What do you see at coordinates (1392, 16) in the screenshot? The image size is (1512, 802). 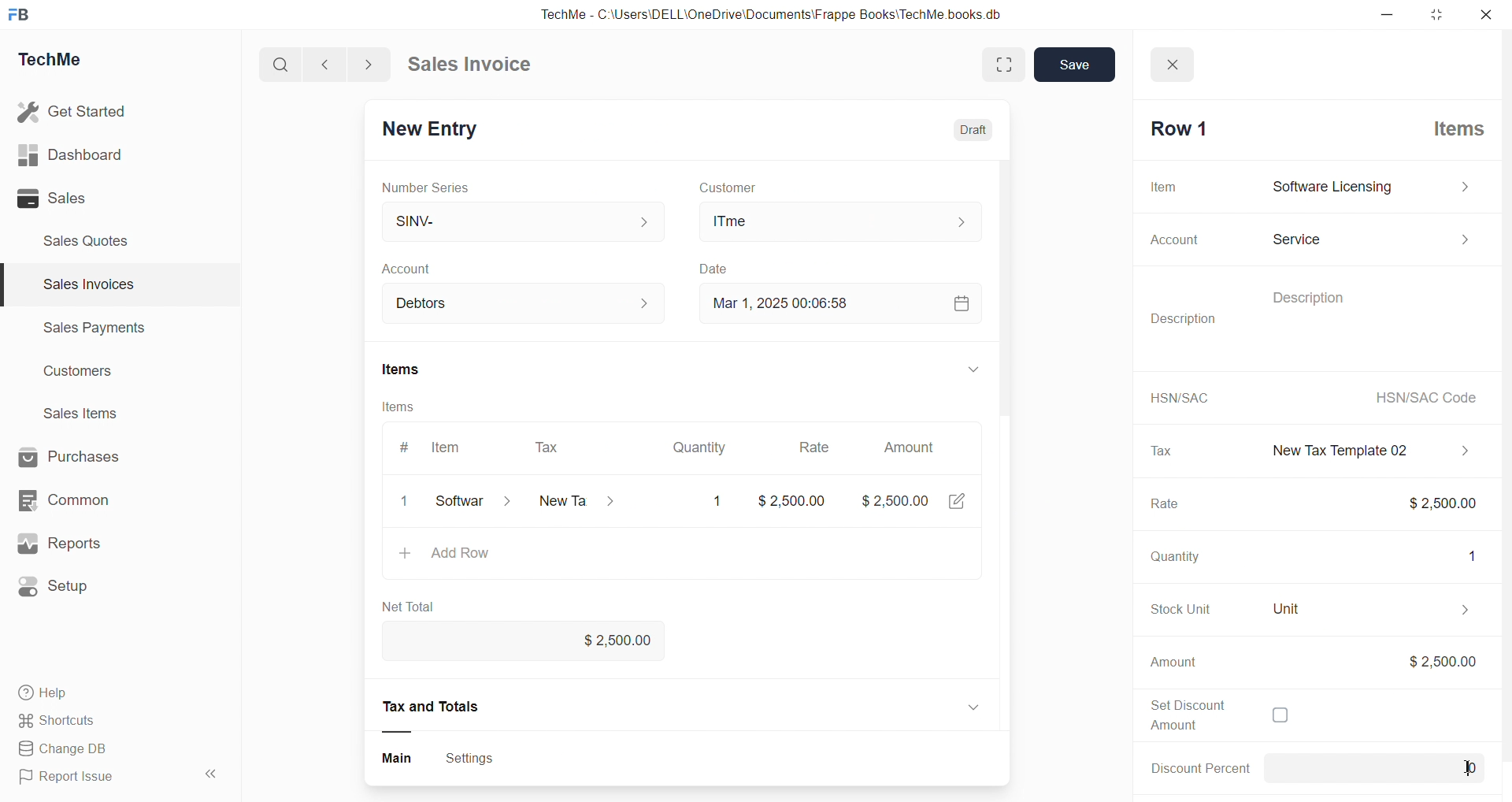 I see `Minimize` at bounding box center [1392, 16].